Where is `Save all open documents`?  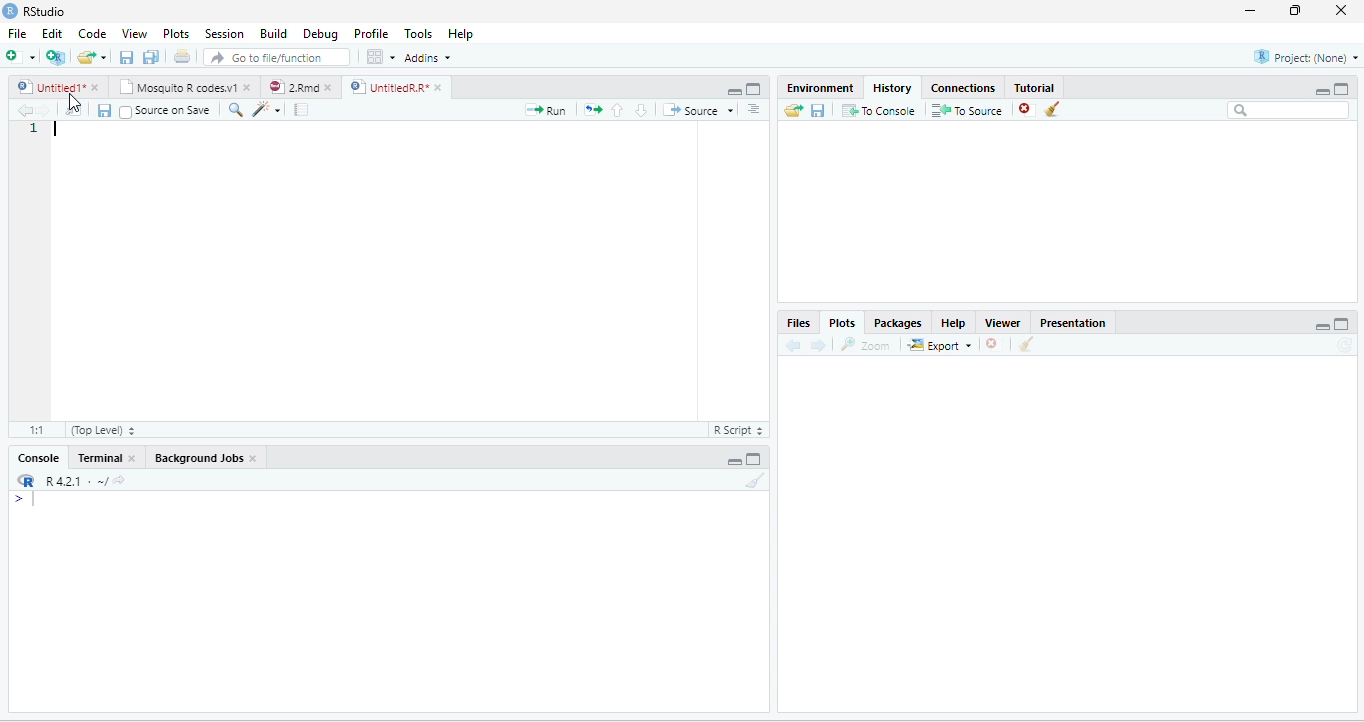
Save all open documents is located at coordinates (151, 56).